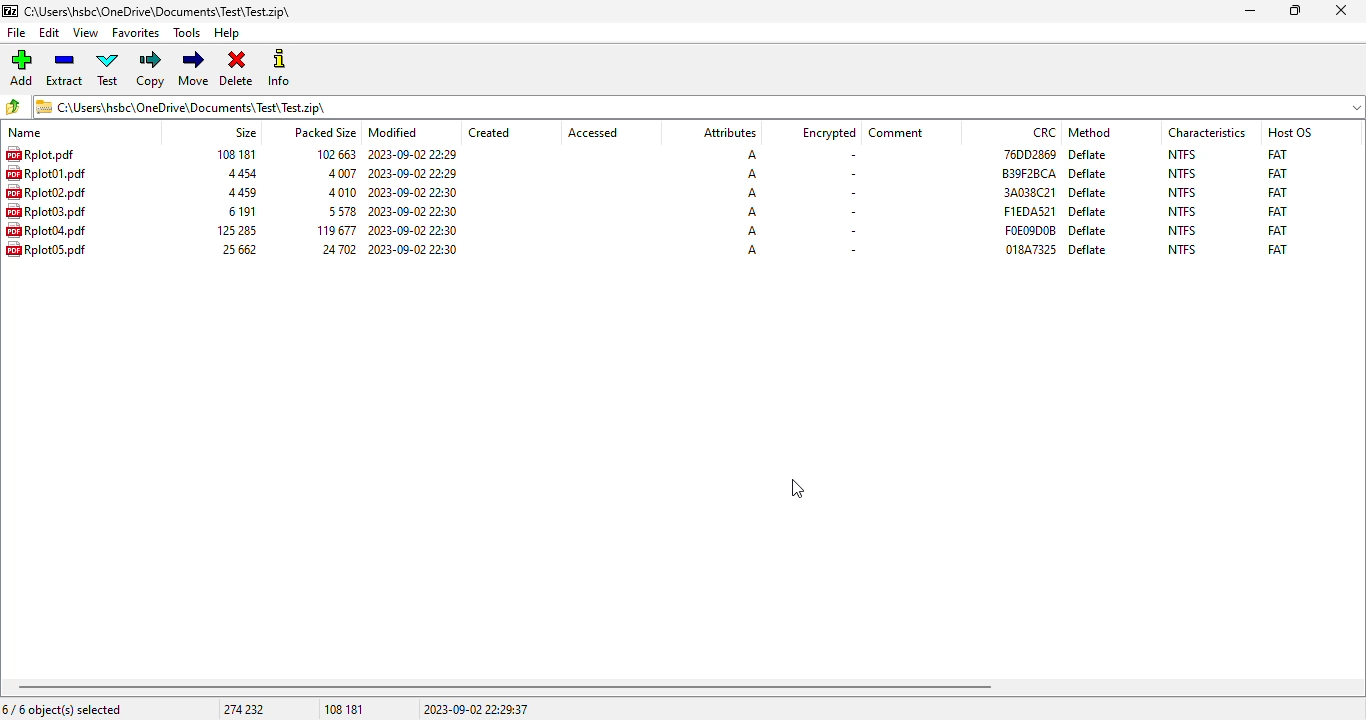  I want to click on file, so click(46, 173).